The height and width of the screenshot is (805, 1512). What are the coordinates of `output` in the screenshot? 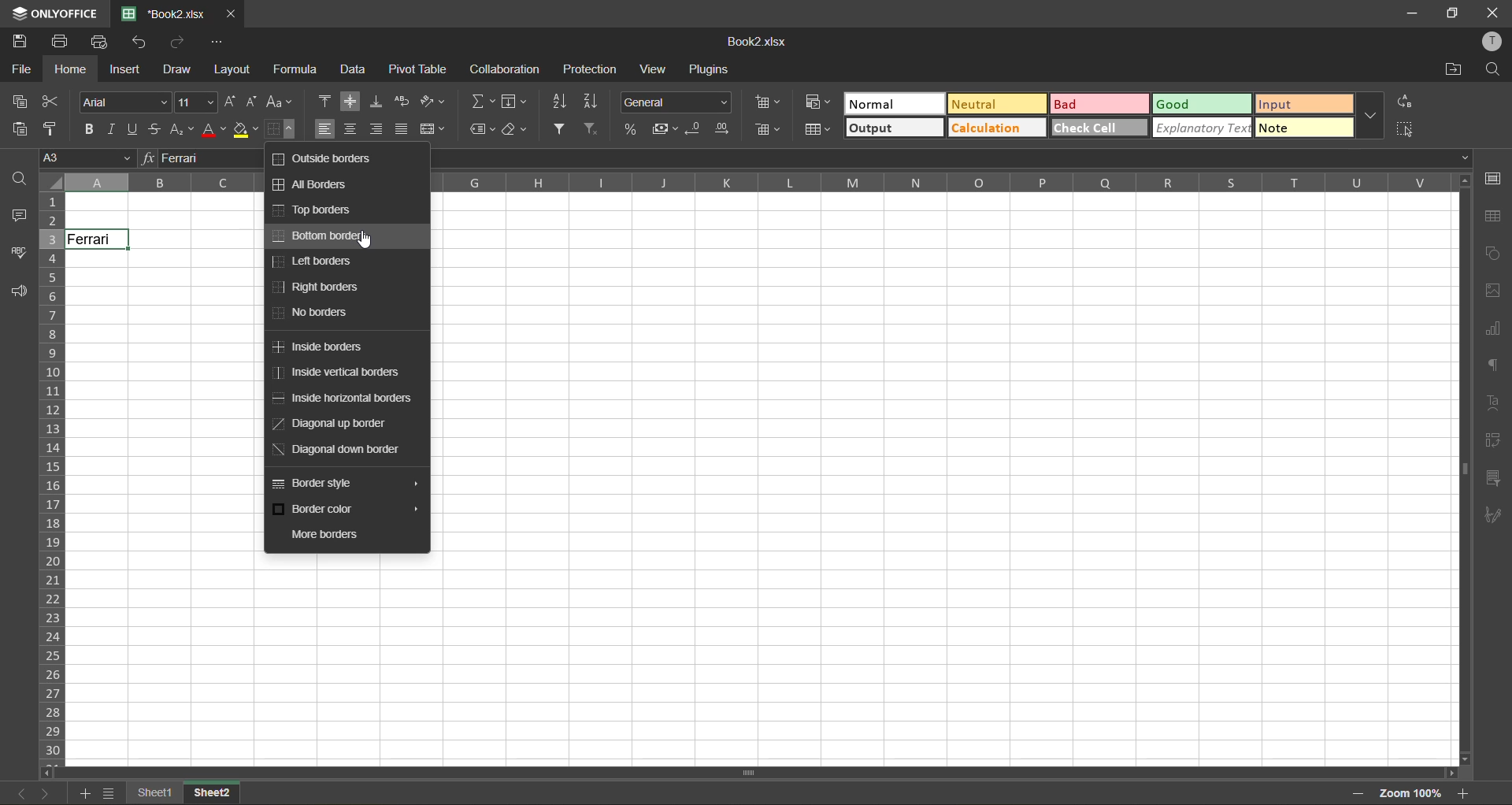 It's located at (892, 128).